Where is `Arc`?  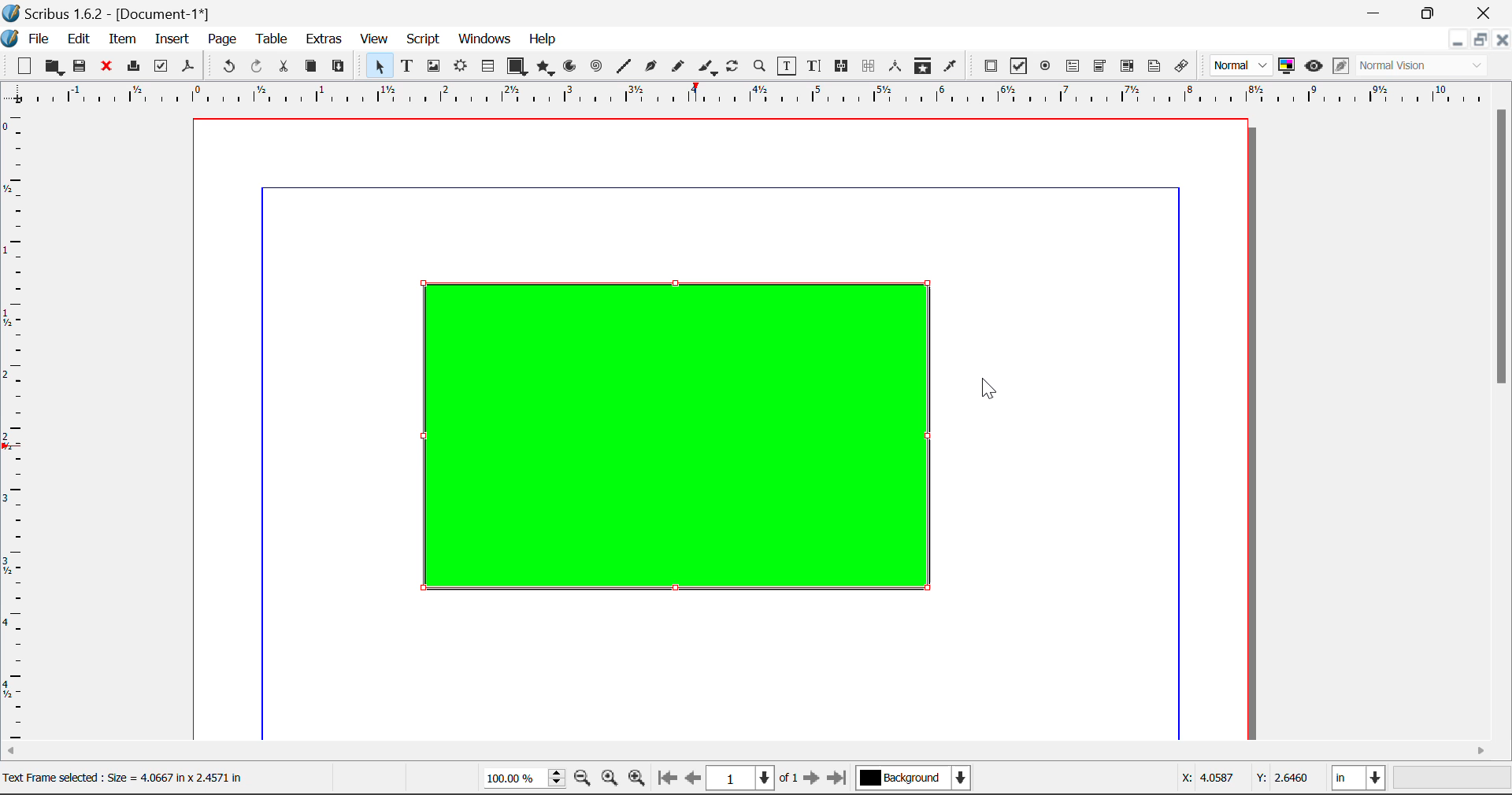 Arc is located at coordinates (571, 68).